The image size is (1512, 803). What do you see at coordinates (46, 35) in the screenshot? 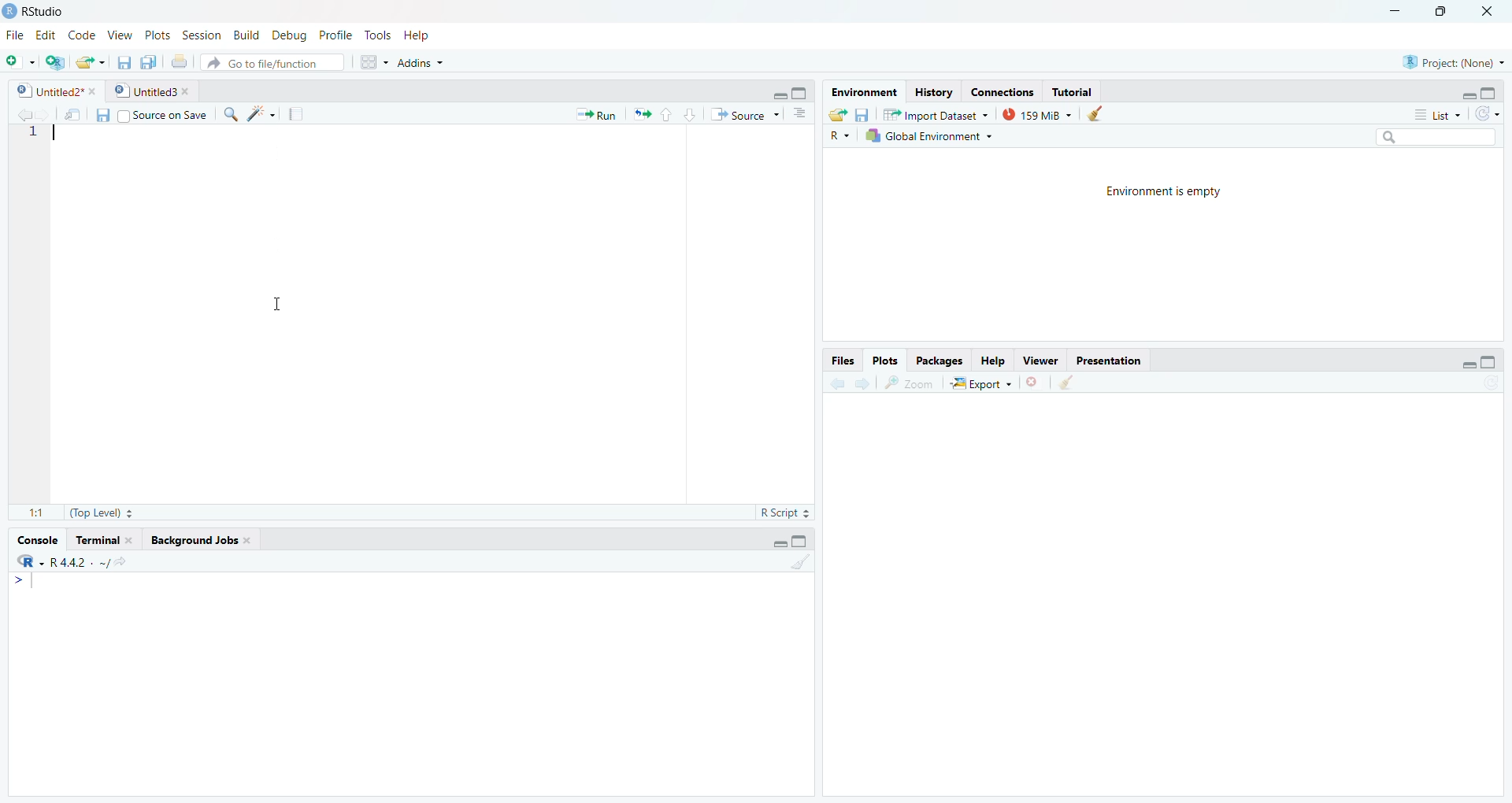
I see `Edit` at bounding box center [46, 35].